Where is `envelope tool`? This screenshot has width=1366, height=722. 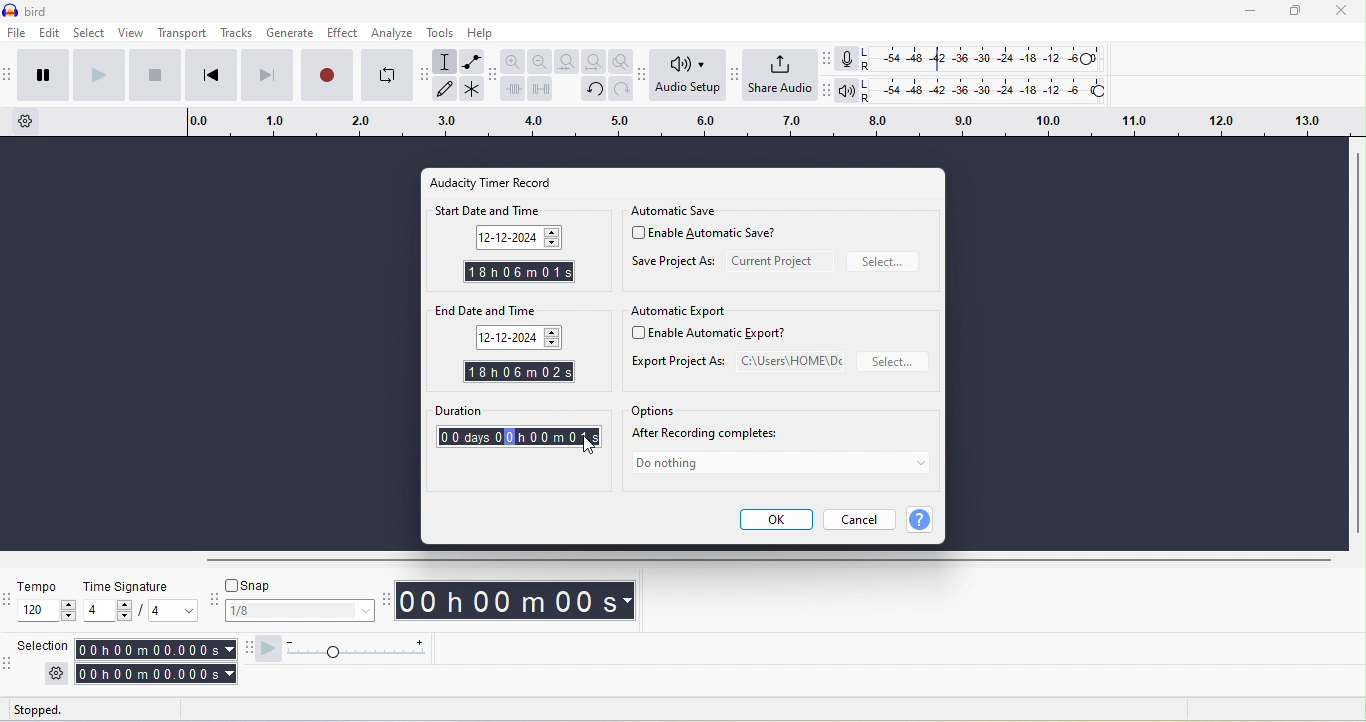
envelope tool is located at coordinates (473, 59).